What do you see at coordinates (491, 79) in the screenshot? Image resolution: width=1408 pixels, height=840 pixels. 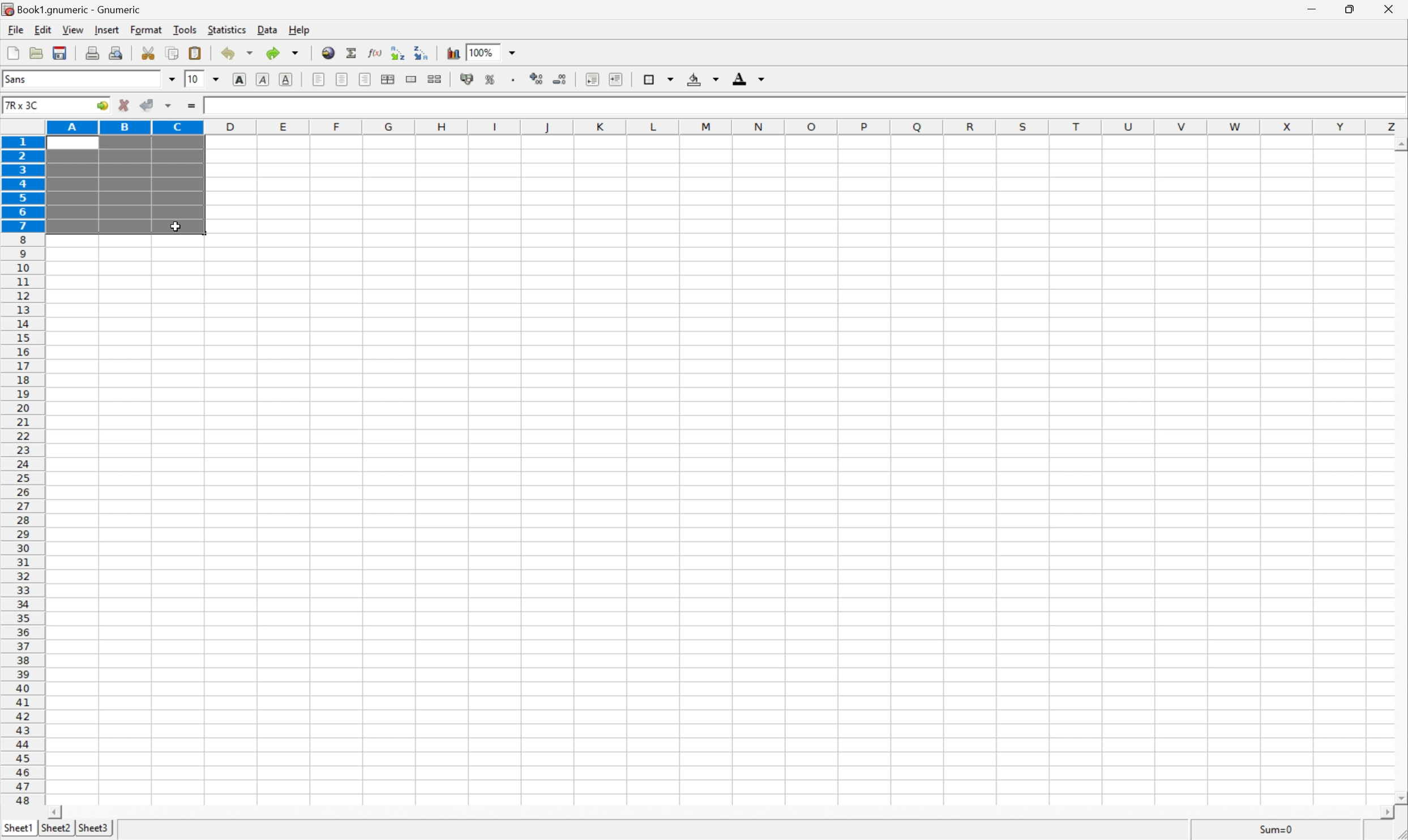 I see `format selection as percentage` at bounding box center [491, 79].